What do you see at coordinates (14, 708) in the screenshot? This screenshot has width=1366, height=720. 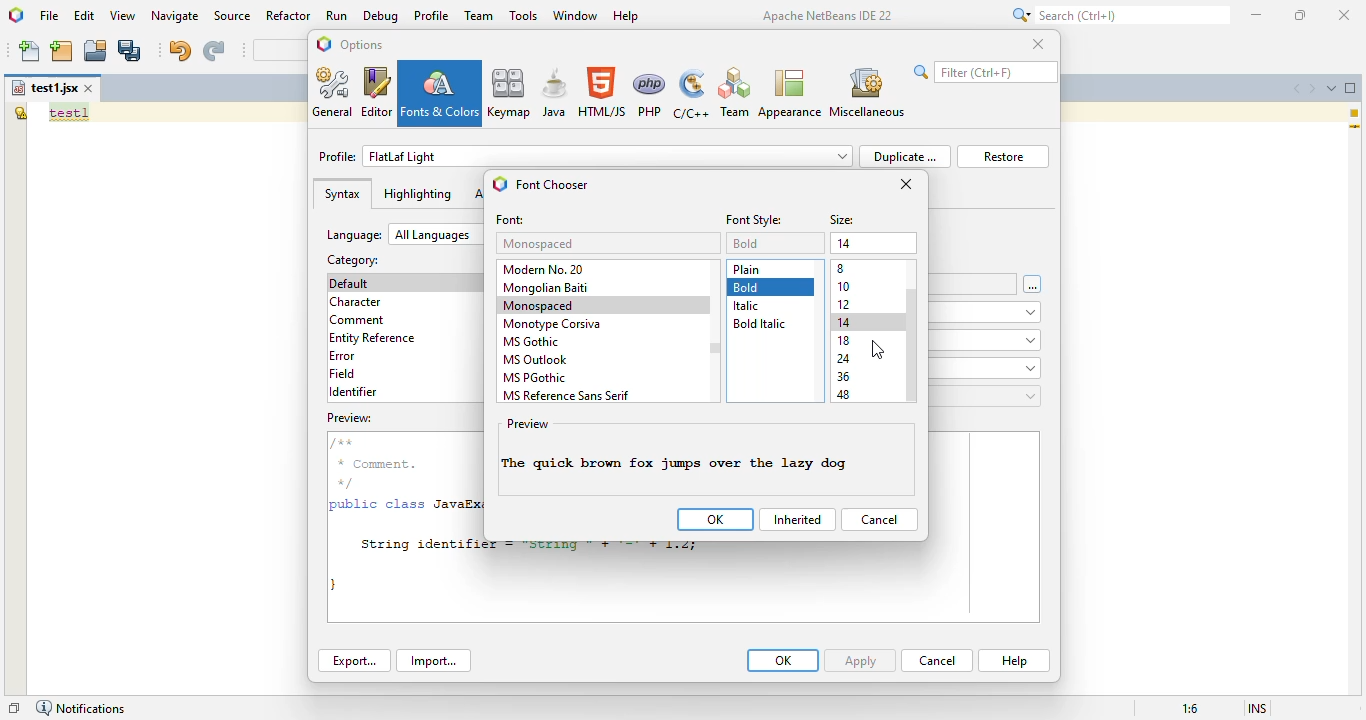 I see `restore window group` at bounding box center [14, 708].